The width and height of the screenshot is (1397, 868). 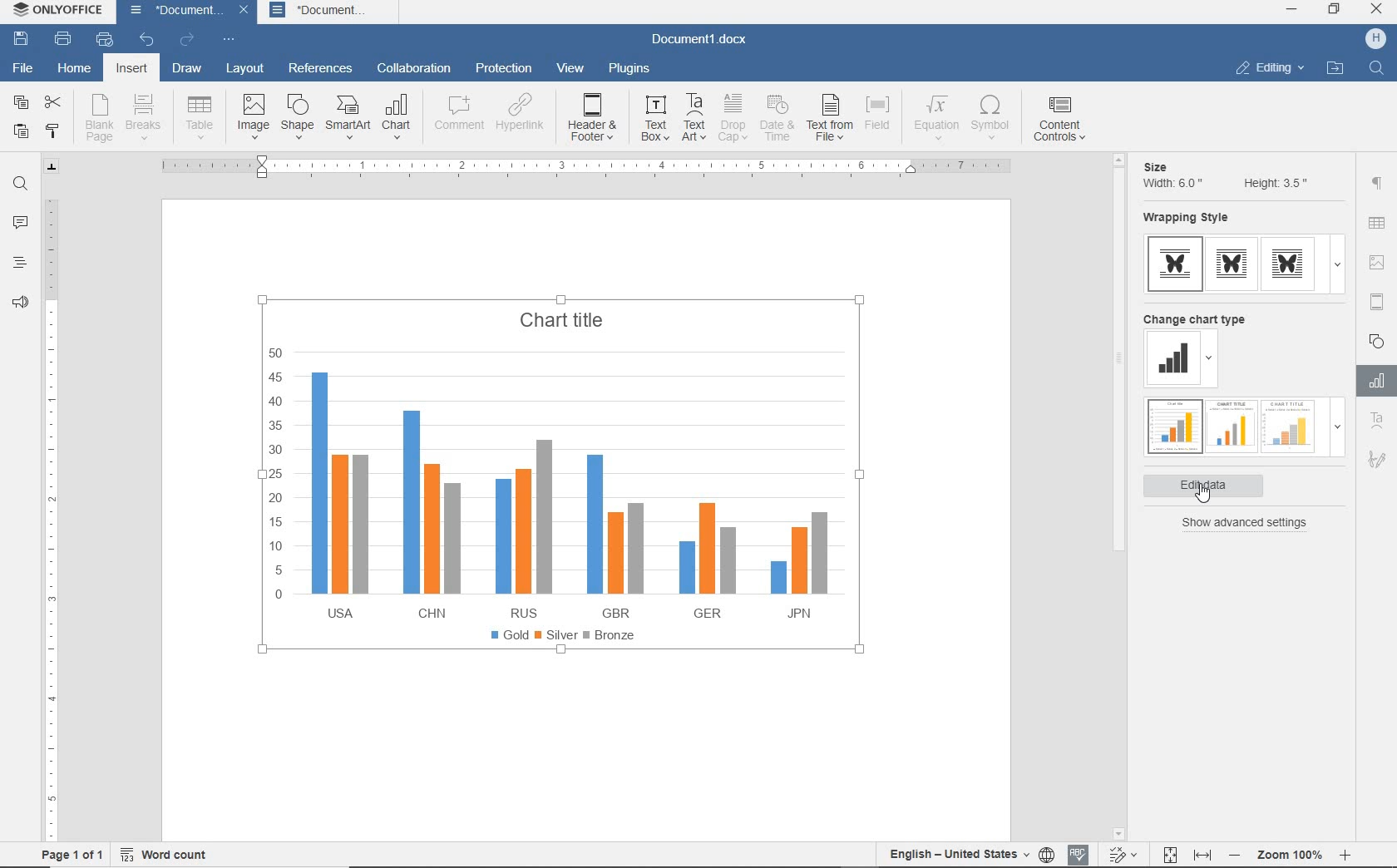 I want to click on comment controls, so click(x=1064, y=121).